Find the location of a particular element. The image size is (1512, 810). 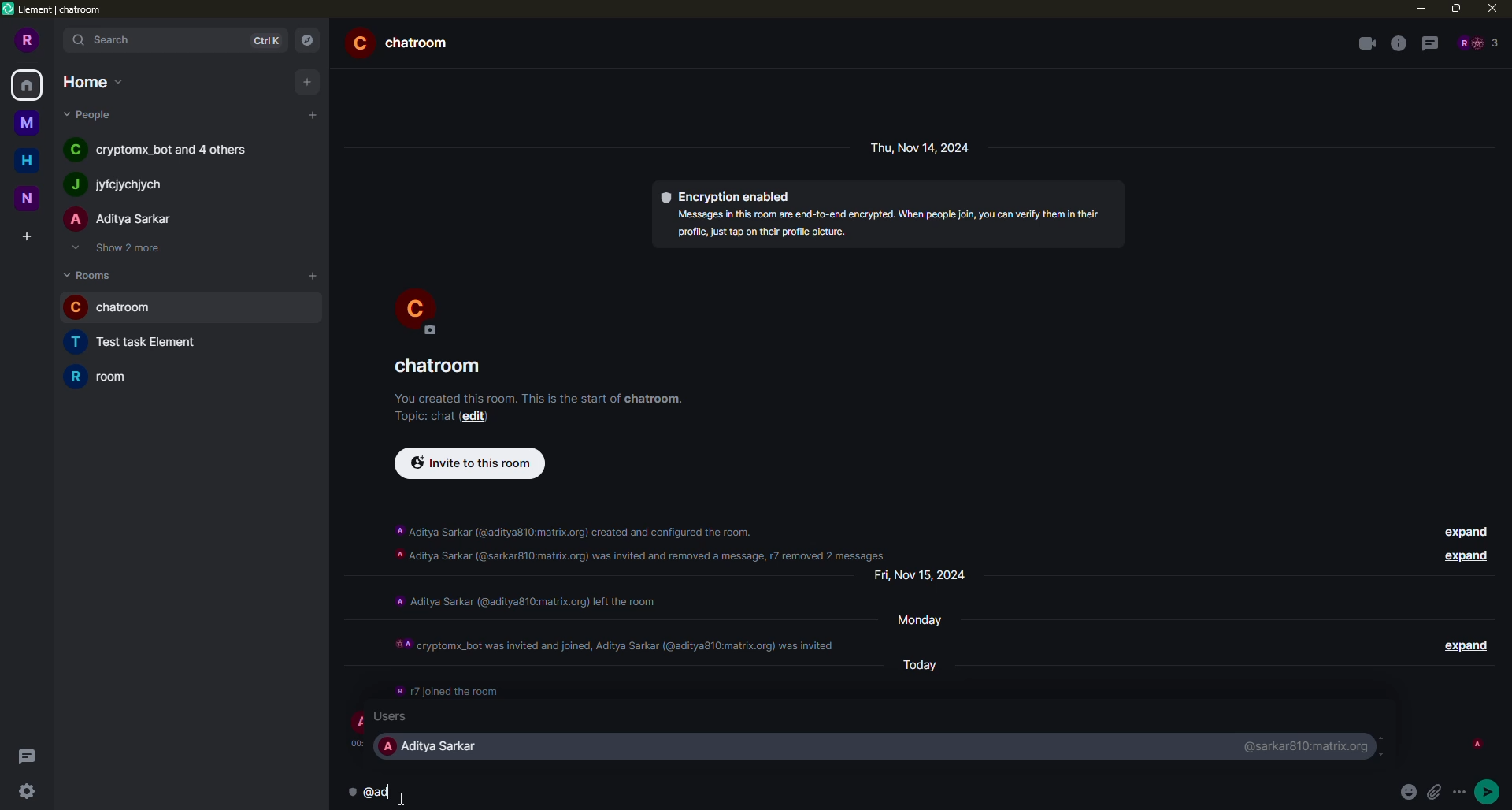

element is located at coordinates (57, 11).